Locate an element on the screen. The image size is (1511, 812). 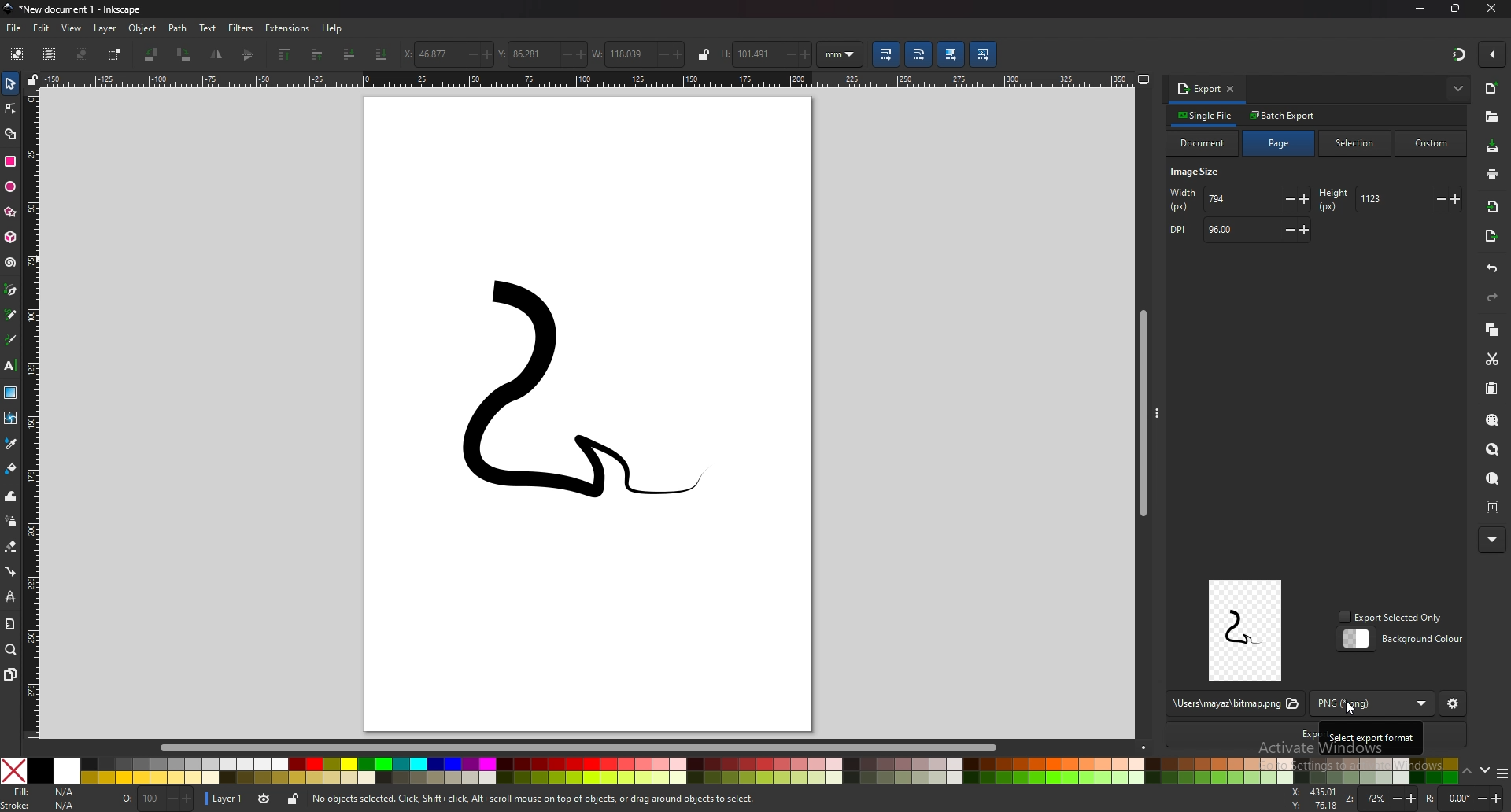
paste is located at coordinates (1493, 389).